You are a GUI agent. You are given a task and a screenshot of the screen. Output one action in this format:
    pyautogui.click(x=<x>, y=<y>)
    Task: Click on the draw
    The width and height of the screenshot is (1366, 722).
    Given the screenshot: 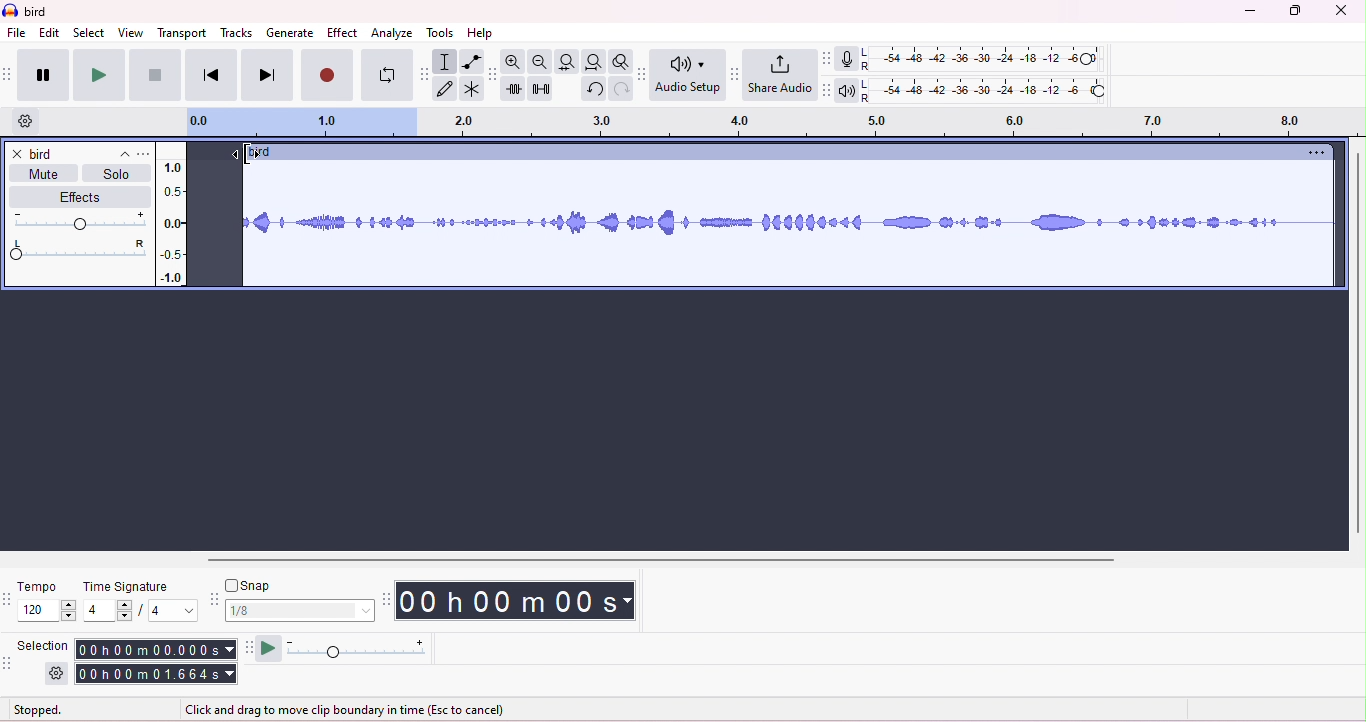 What is the action you would take?
    pyautogui.click(x=445, y=90)
    